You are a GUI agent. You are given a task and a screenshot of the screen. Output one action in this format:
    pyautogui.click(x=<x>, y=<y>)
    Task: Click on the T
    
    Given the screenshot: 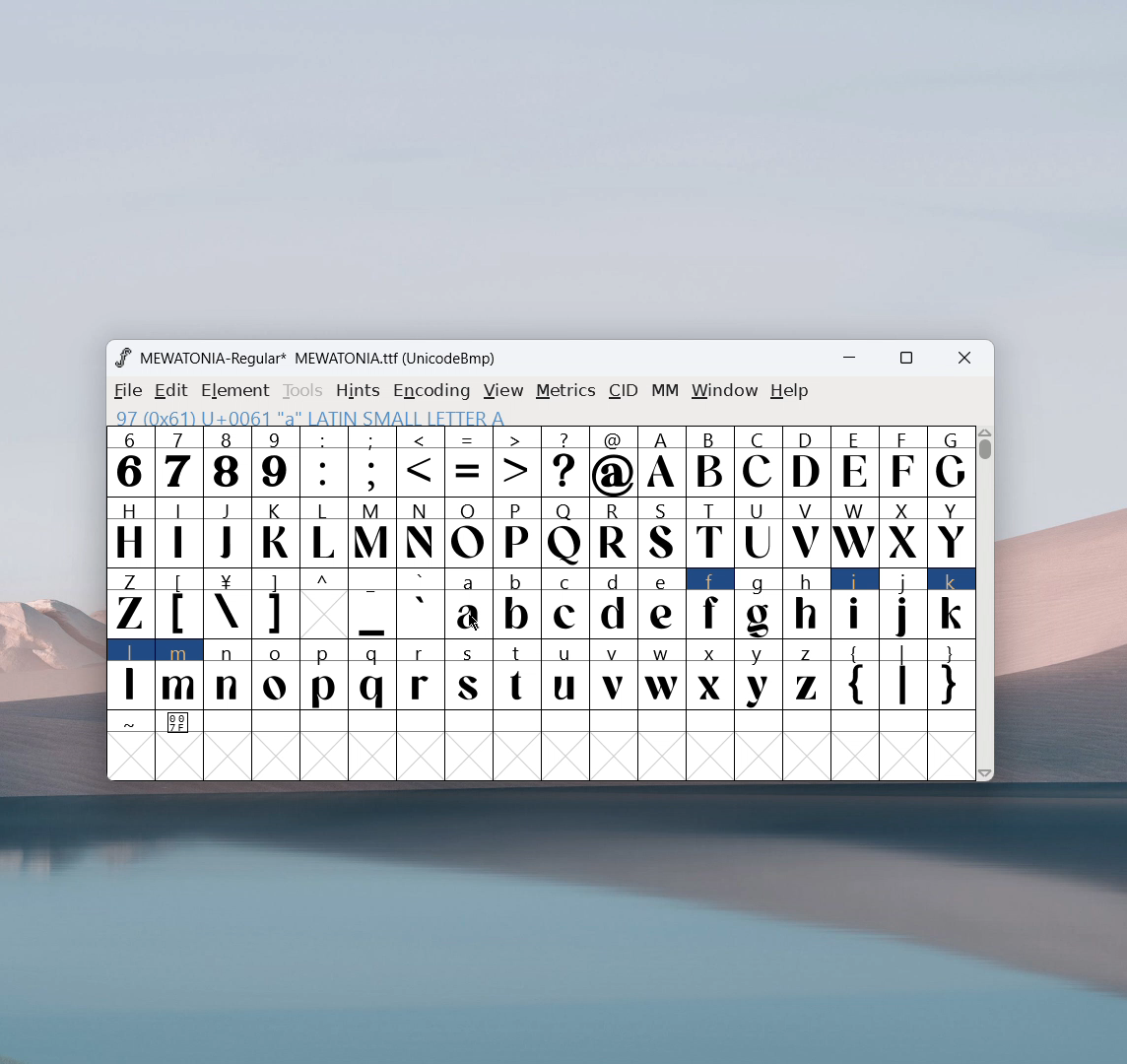 What is the action you would take?
    pyautogui.click(x=711, y=533)
    